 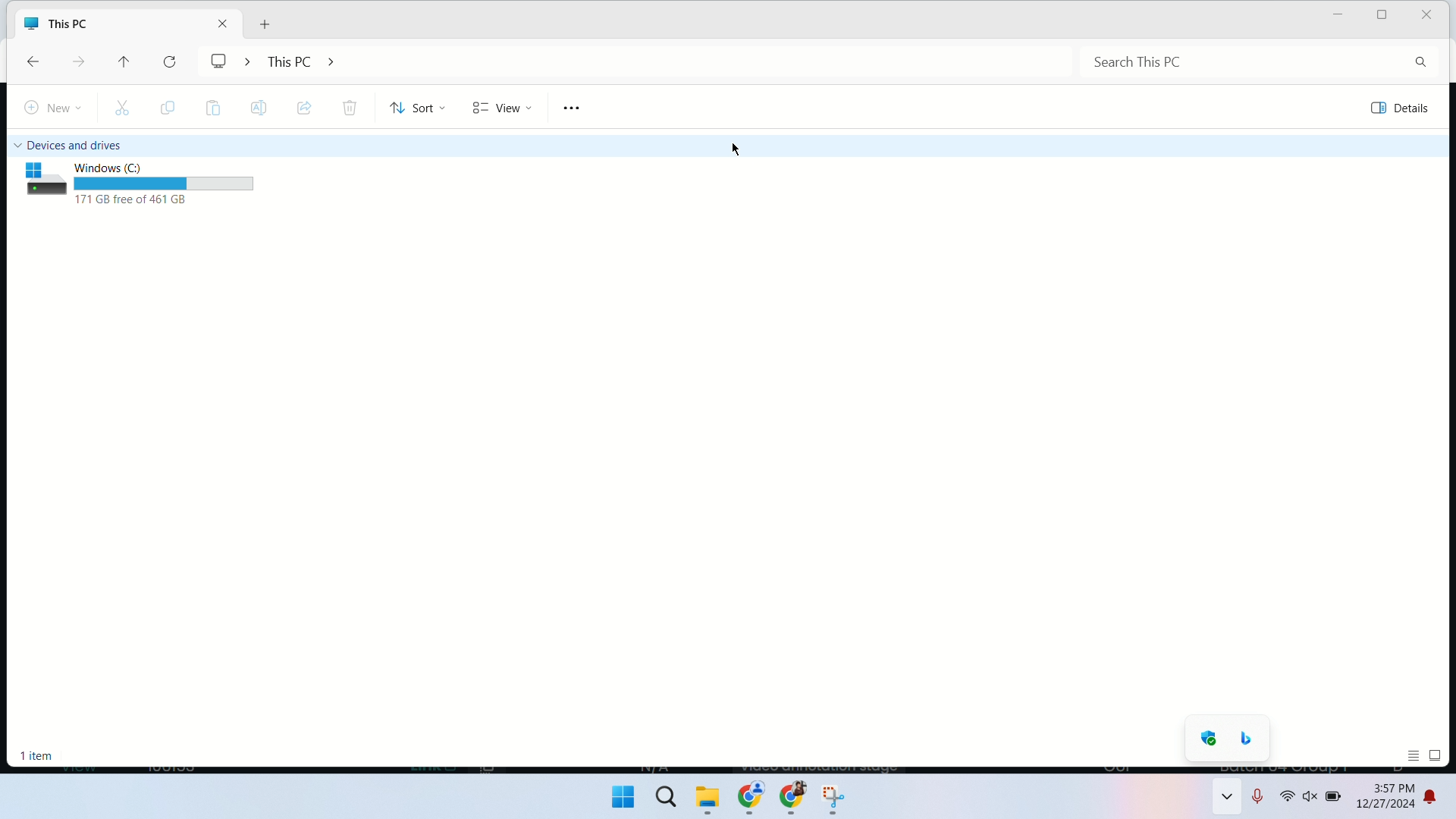 What do you see at coordinates (306, 109) in the screenshot?
I see `share` at bounding box center [306, 109].